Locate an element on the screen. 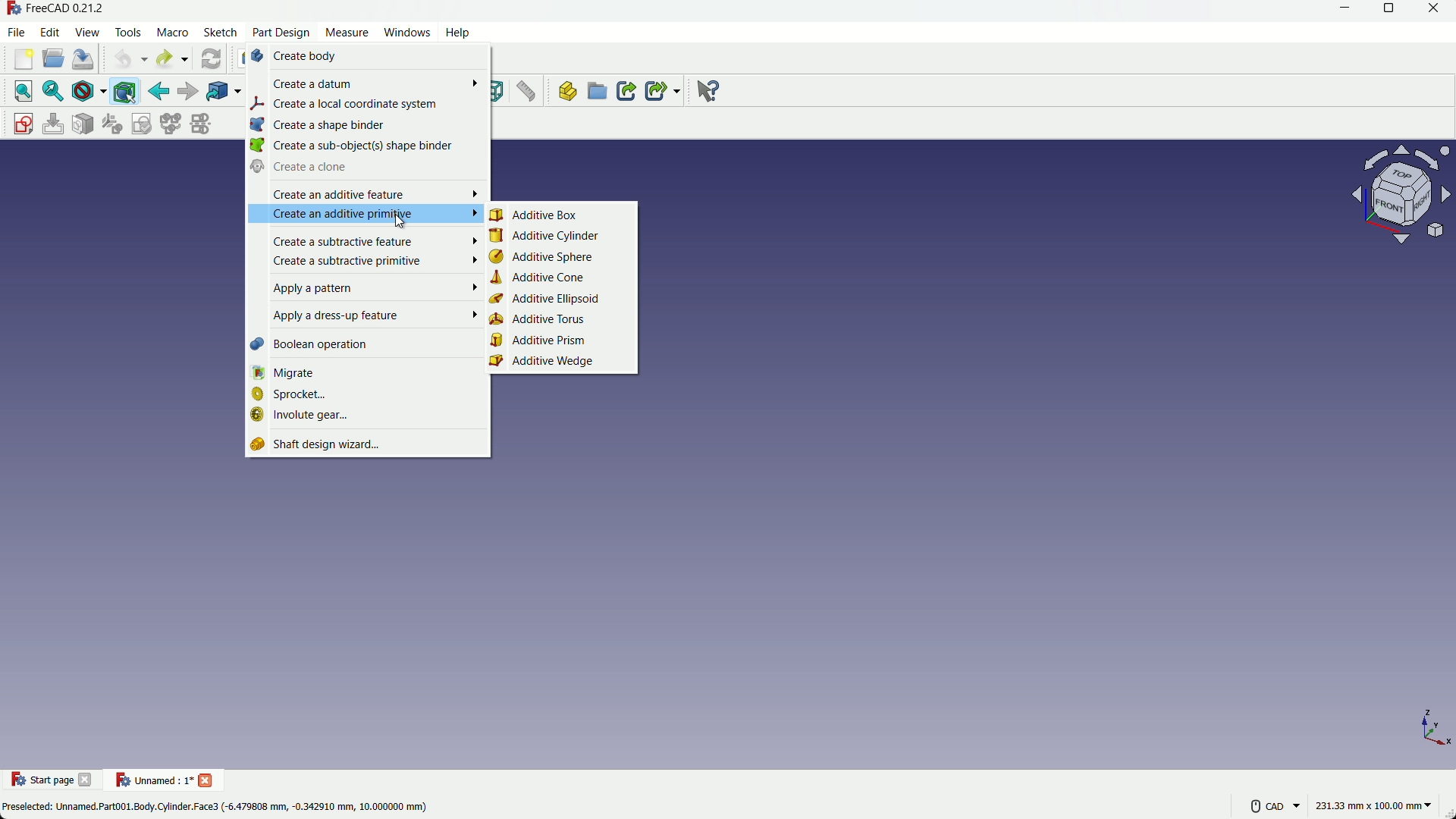  minimize is located at coordinates (1344, 8).